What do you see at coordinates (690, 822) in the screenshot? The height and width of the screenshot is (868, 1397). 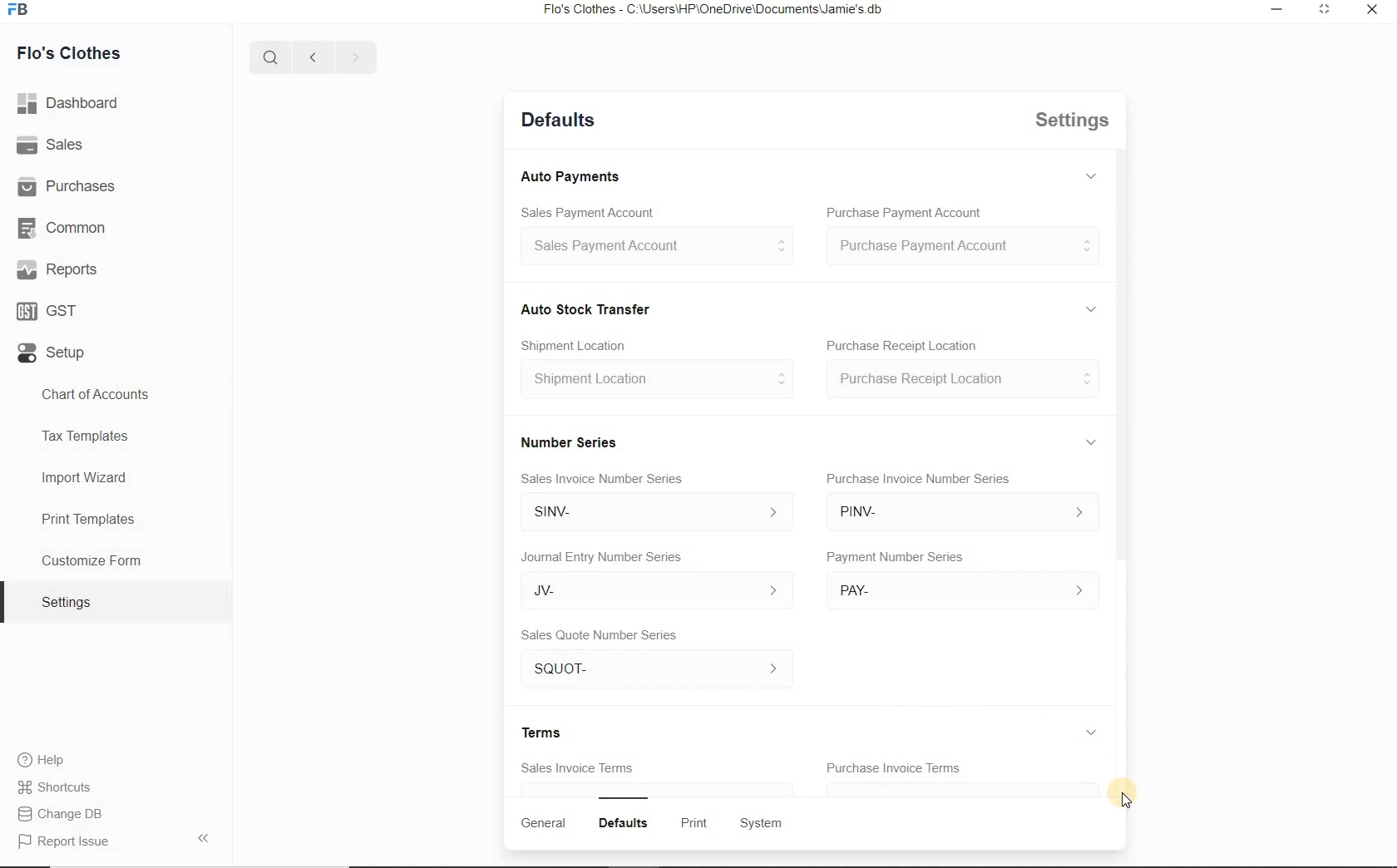 I see `wits Print` at bounding box center [690, 822].